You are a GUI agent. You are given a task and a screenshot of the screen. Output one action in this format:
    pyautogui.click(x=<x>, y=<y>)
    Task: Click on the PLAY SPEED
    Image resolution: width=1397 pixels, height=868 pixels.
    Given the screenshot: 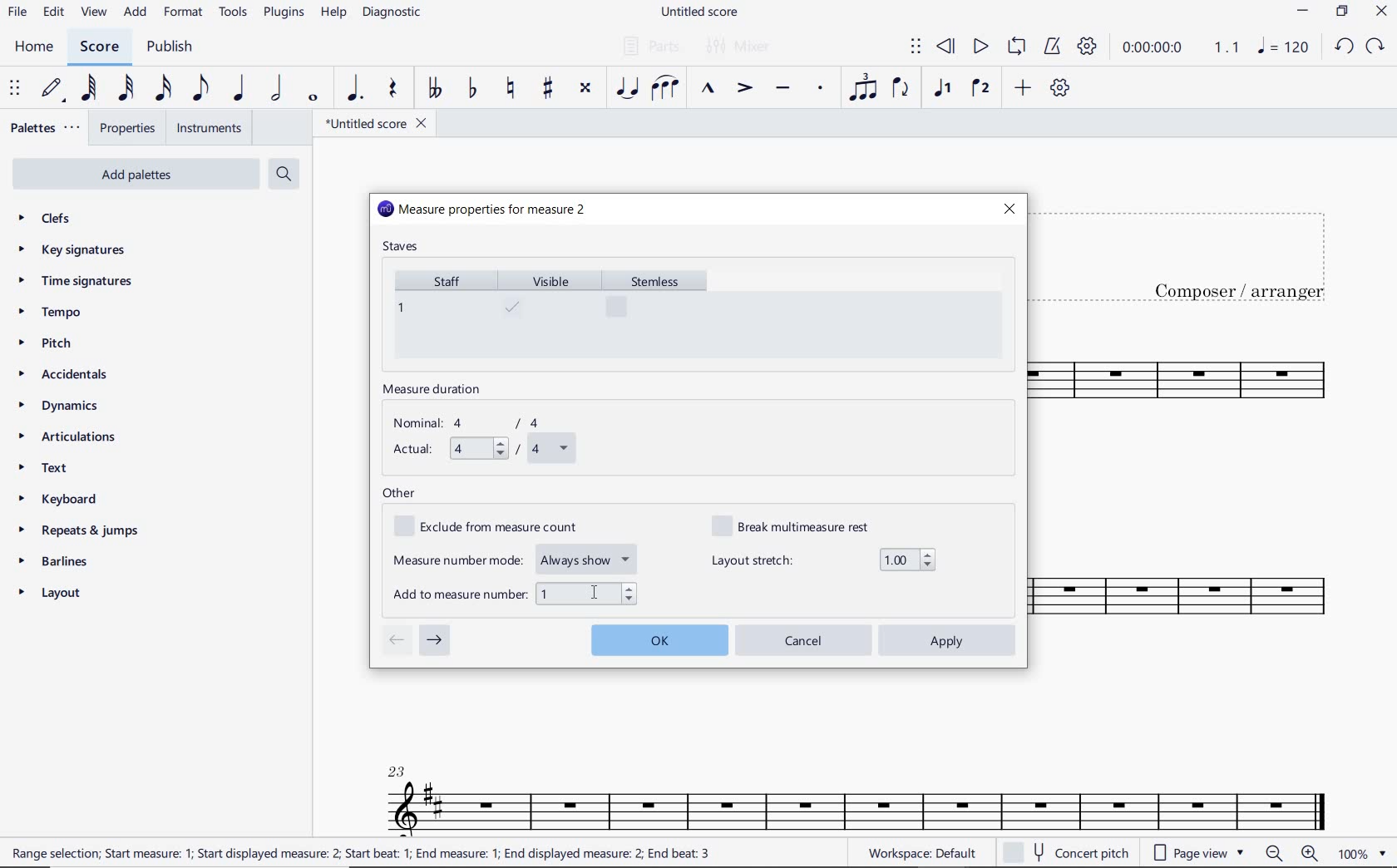 What is the action you would take?
    pyautogui.click(x=1181, y=49)
    